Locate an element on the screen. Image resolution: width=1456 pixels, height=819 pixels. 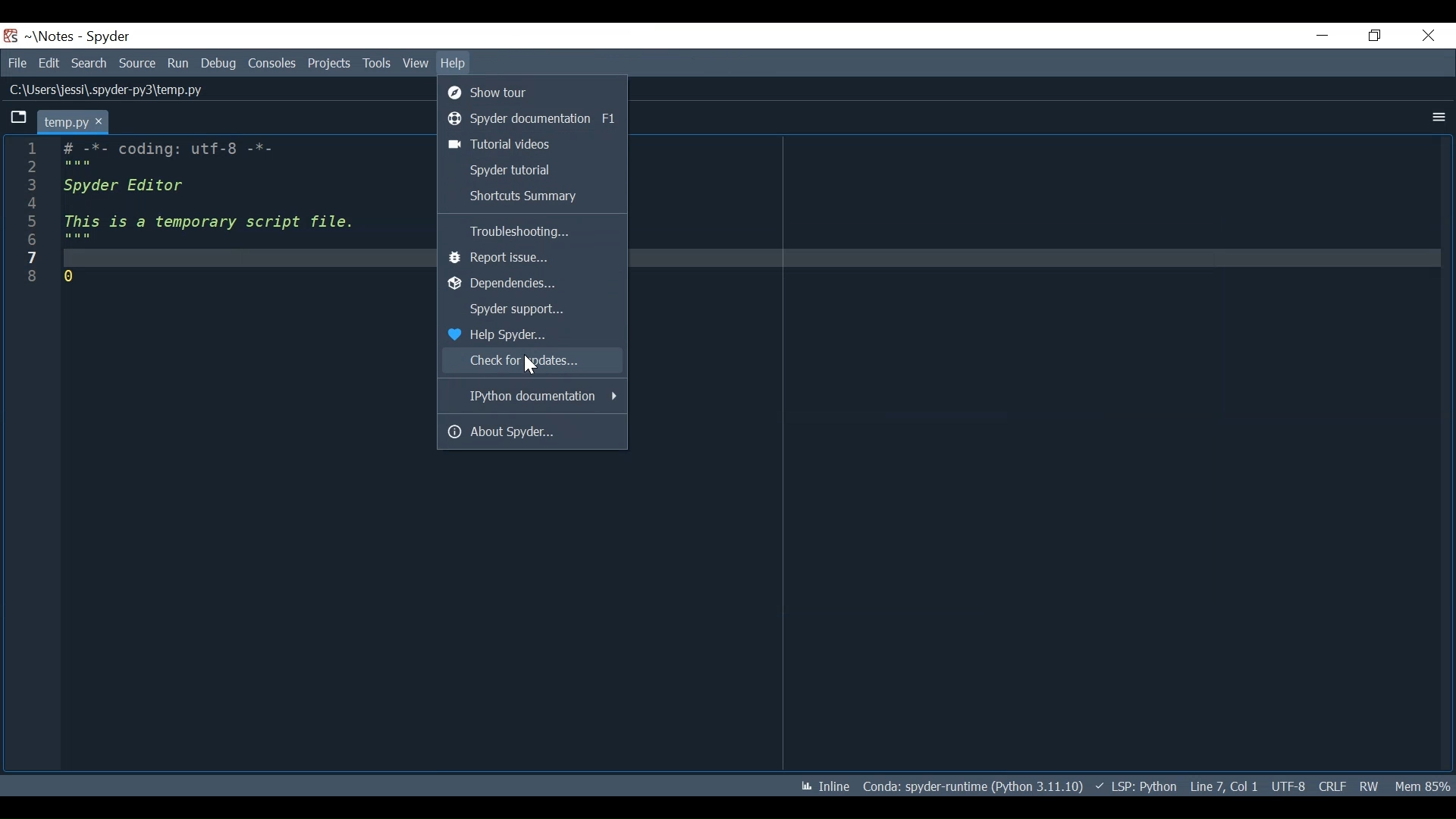
line number is located at coordinates (31, 212).